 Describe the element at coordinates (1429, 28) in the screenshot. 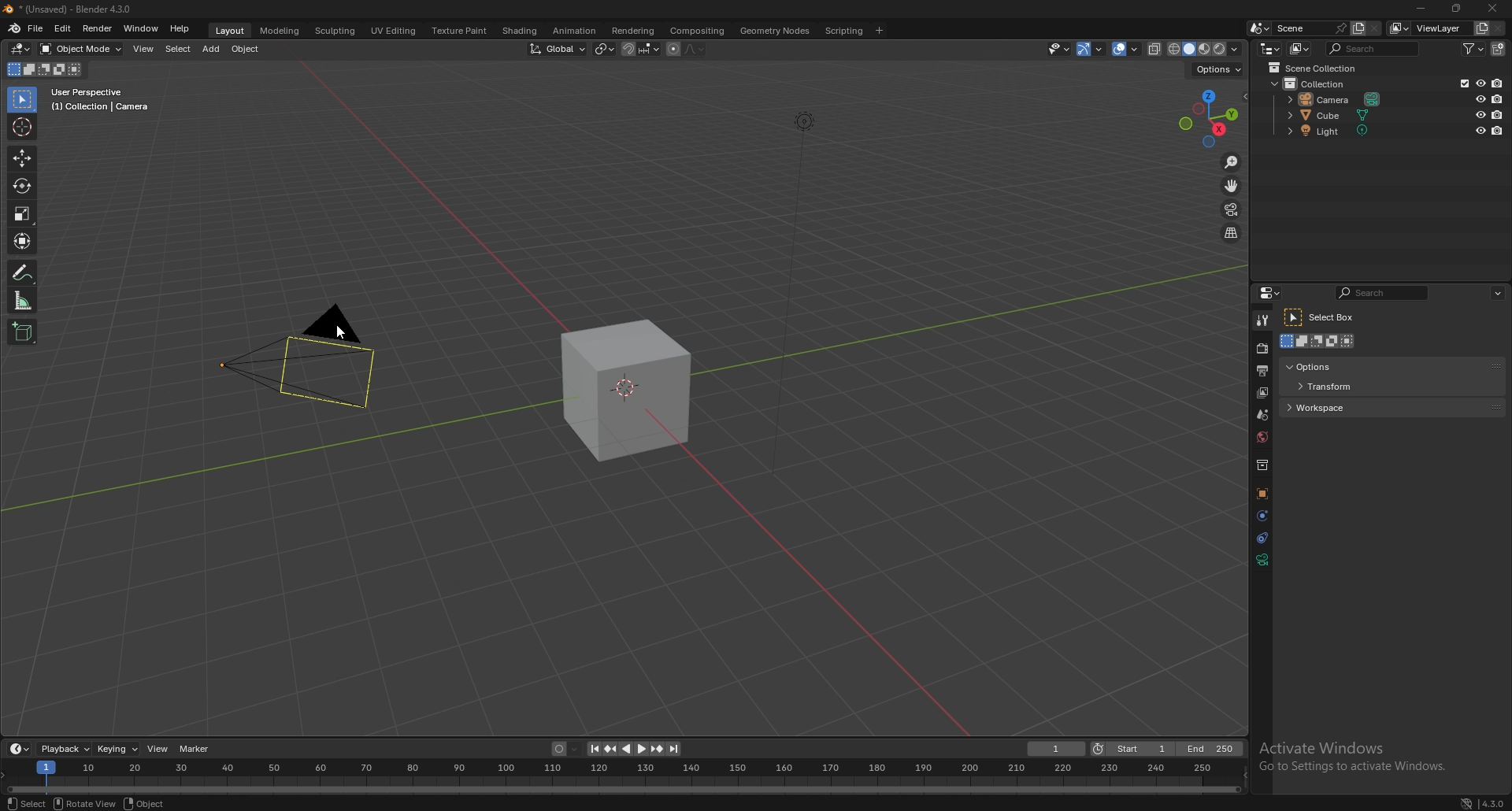

I see `view layer` at that location.